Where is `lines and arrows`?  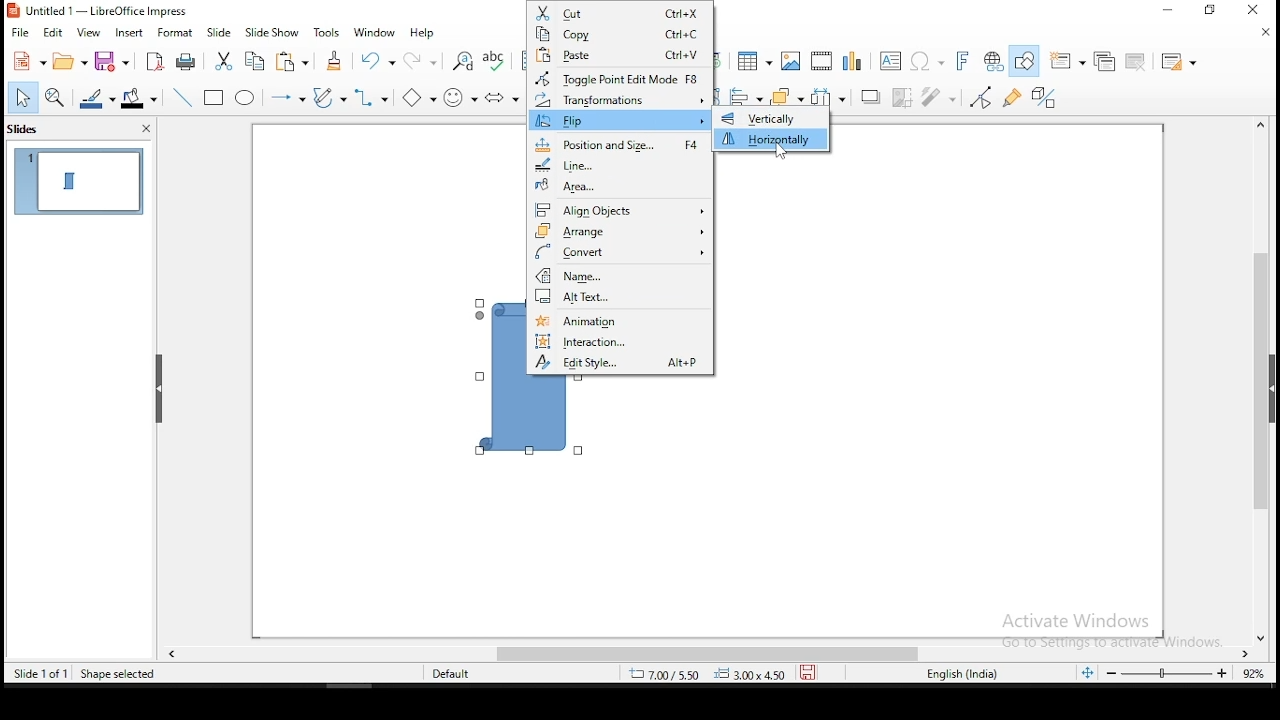
lines and arrows is located at coordinates (288, 96).